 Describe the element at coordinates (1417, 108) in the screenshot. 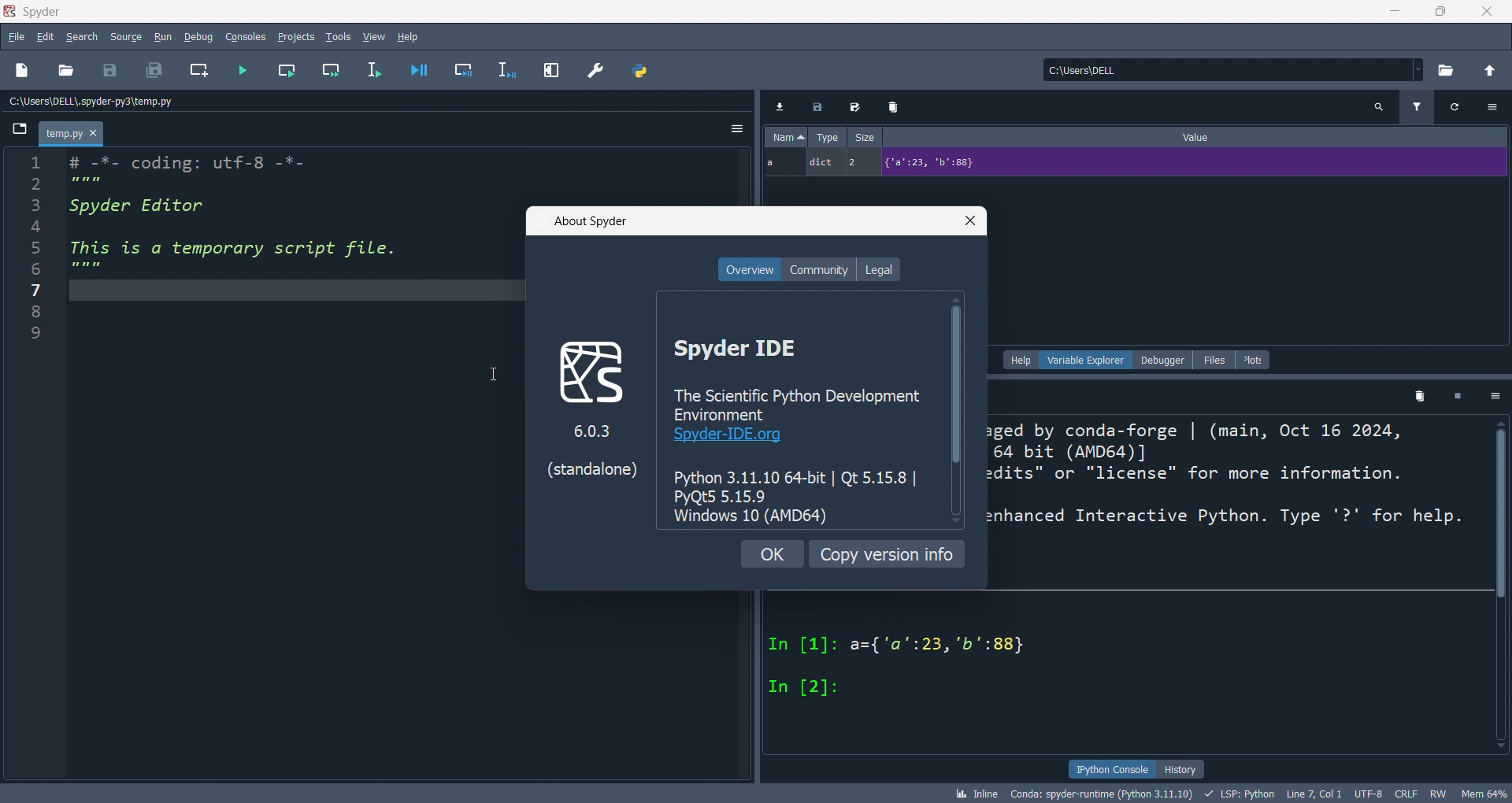

I see `Filter` at that location.